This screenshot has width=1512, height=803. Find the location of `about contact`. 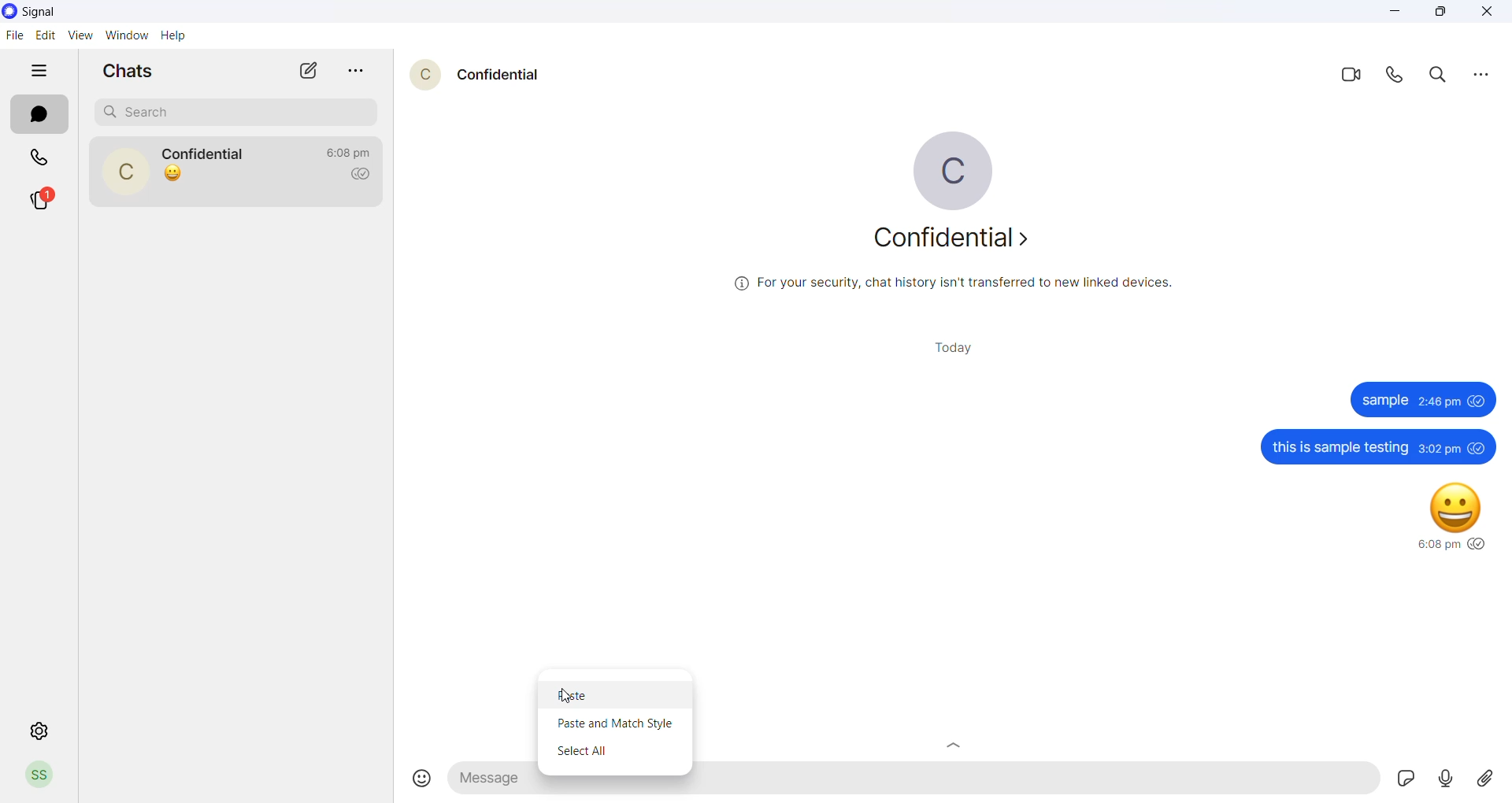

about contact is located at coordinates (958, 246).